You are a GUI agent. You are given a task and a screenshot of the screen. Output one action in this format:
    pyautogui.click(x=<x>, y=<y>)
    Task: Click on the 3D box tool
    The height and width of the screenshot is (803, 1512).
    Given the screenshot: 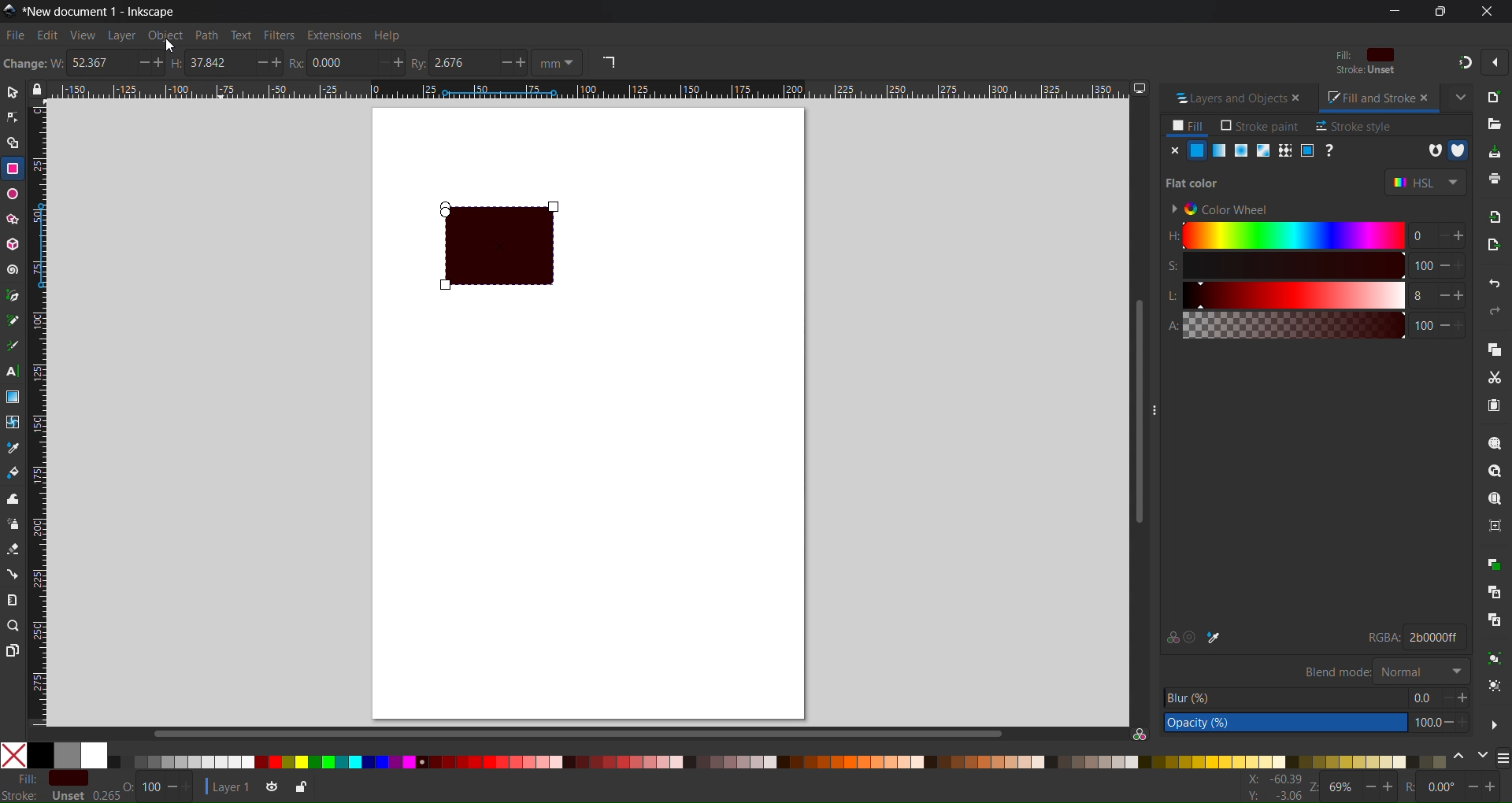 What is the action you would take?
    pyautogui.click(x=13, y=244)
    